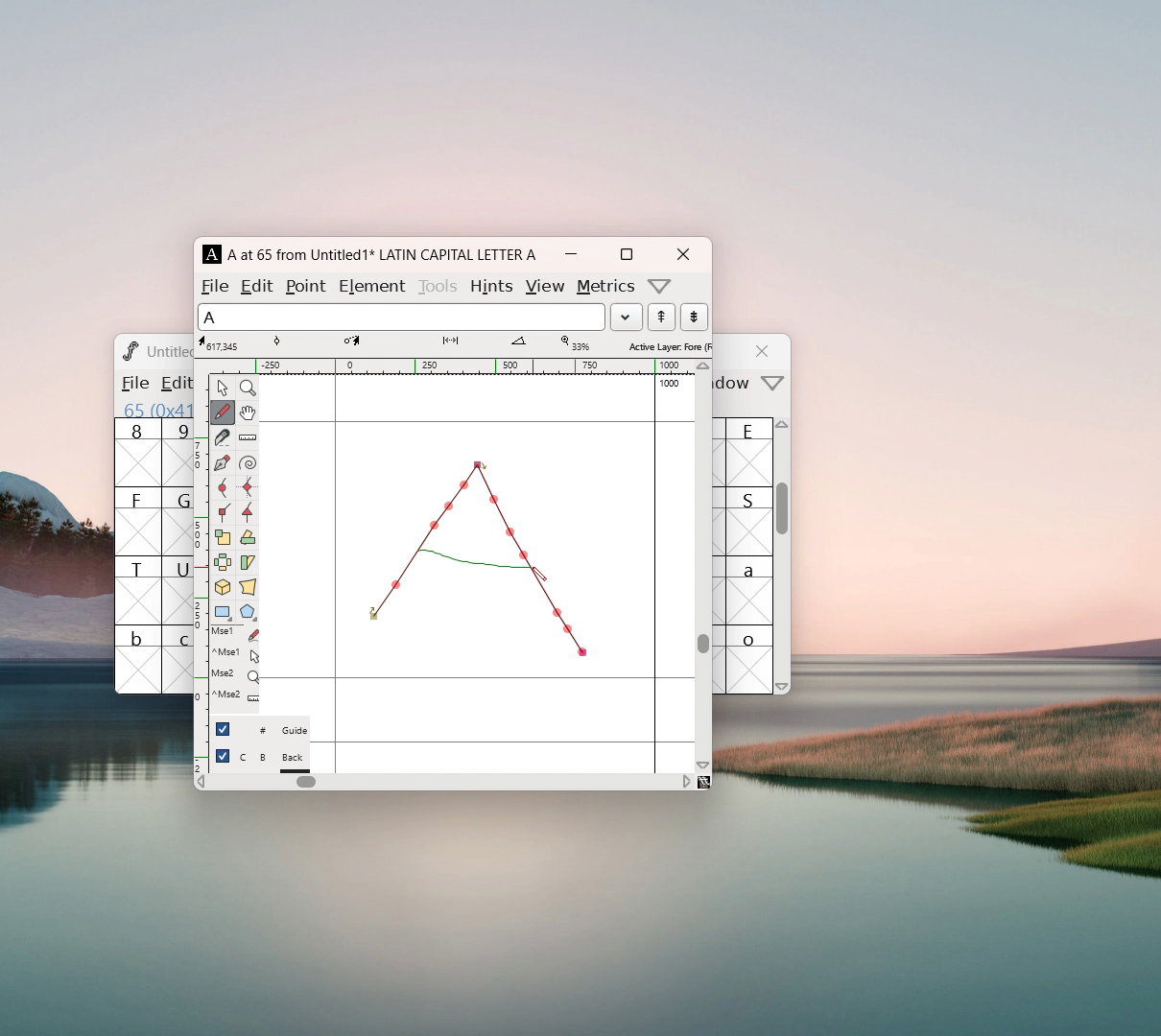 This screenshot has height=1036, width=1161. What do you see at coordinates (137, 453) in the screenshot?
I see `8` at bounding box center [137, 453].